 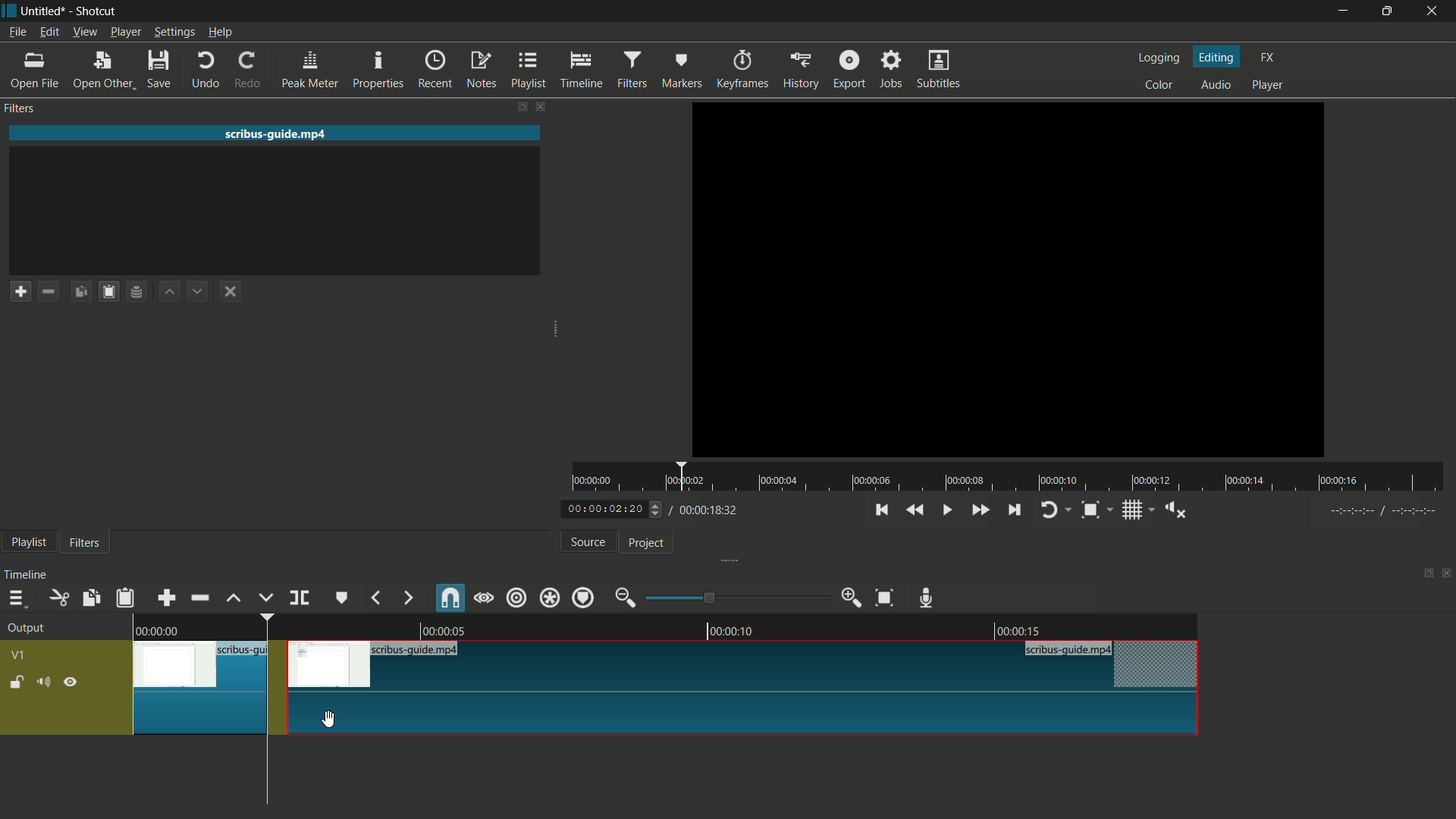 I want to click on timeline, so click(x=583, y=70).